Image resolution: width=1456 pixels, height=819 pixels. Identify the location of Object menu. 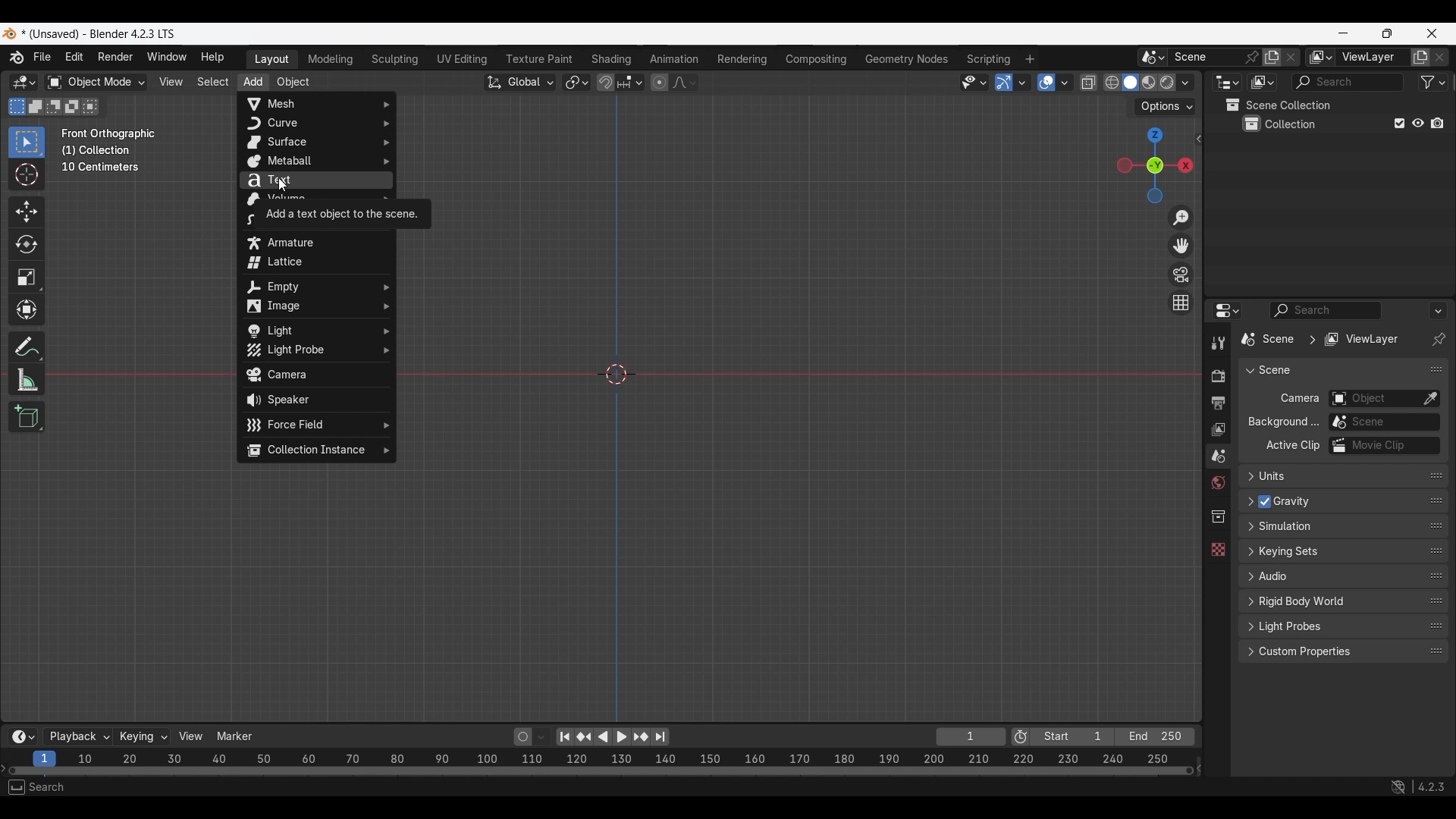
(294, 83).